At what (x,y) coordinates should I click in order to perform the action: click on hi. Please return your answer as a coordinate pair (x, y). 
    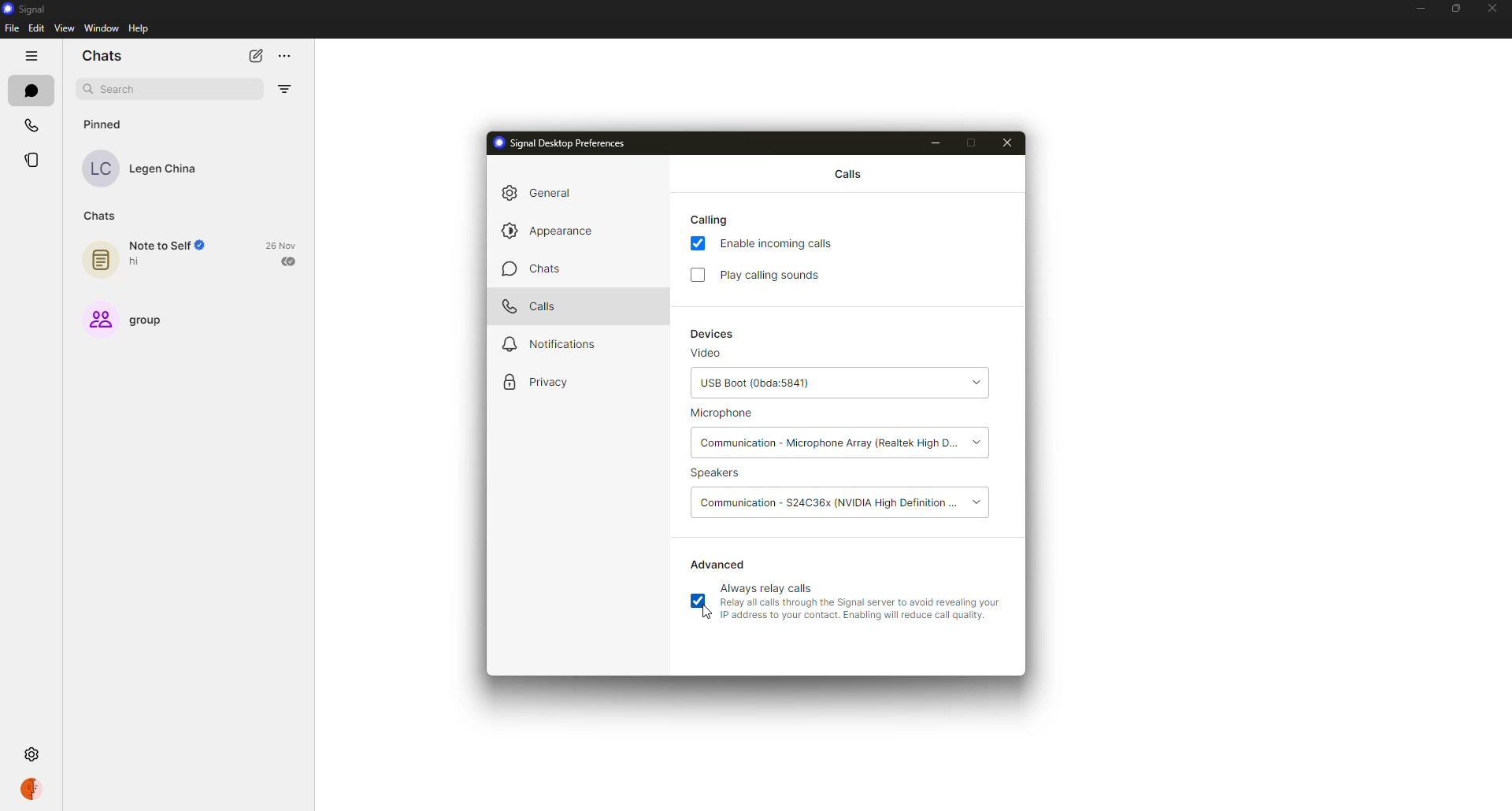
    Looking at the image, I should click on (143, 264).